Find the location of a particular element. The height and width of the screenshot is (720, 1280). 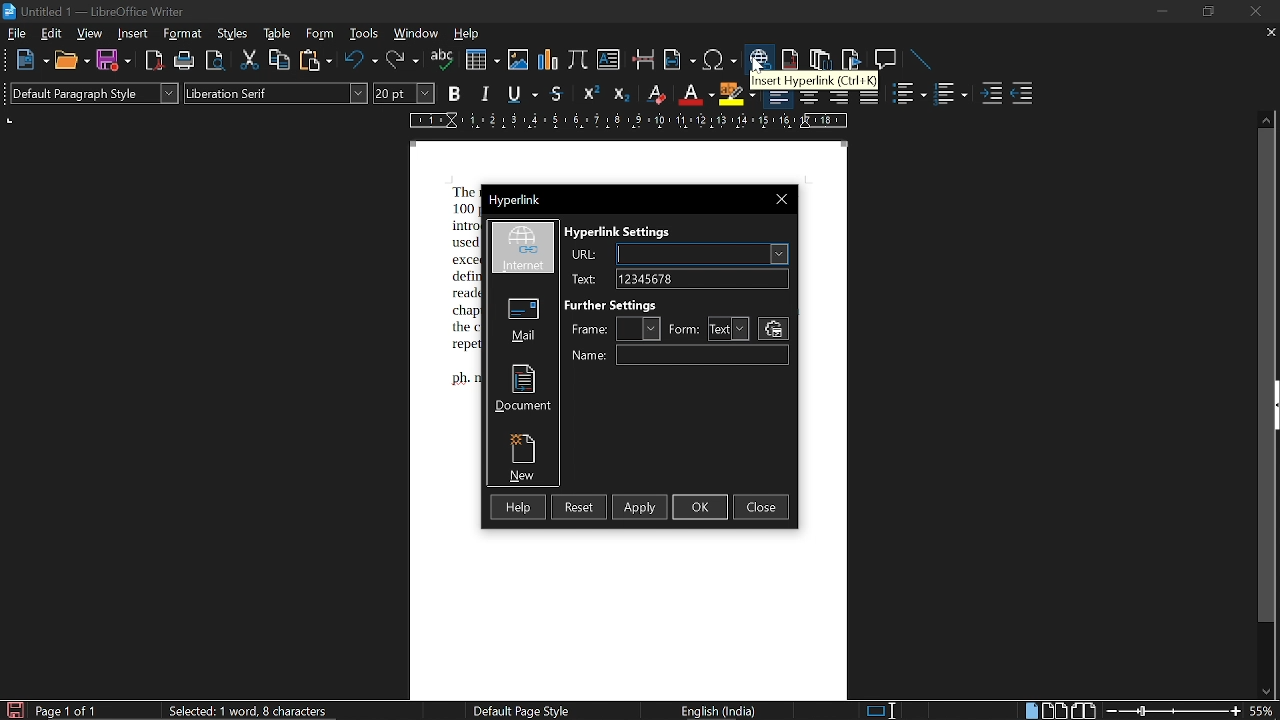

move down is located at coordinates (1267, 690).